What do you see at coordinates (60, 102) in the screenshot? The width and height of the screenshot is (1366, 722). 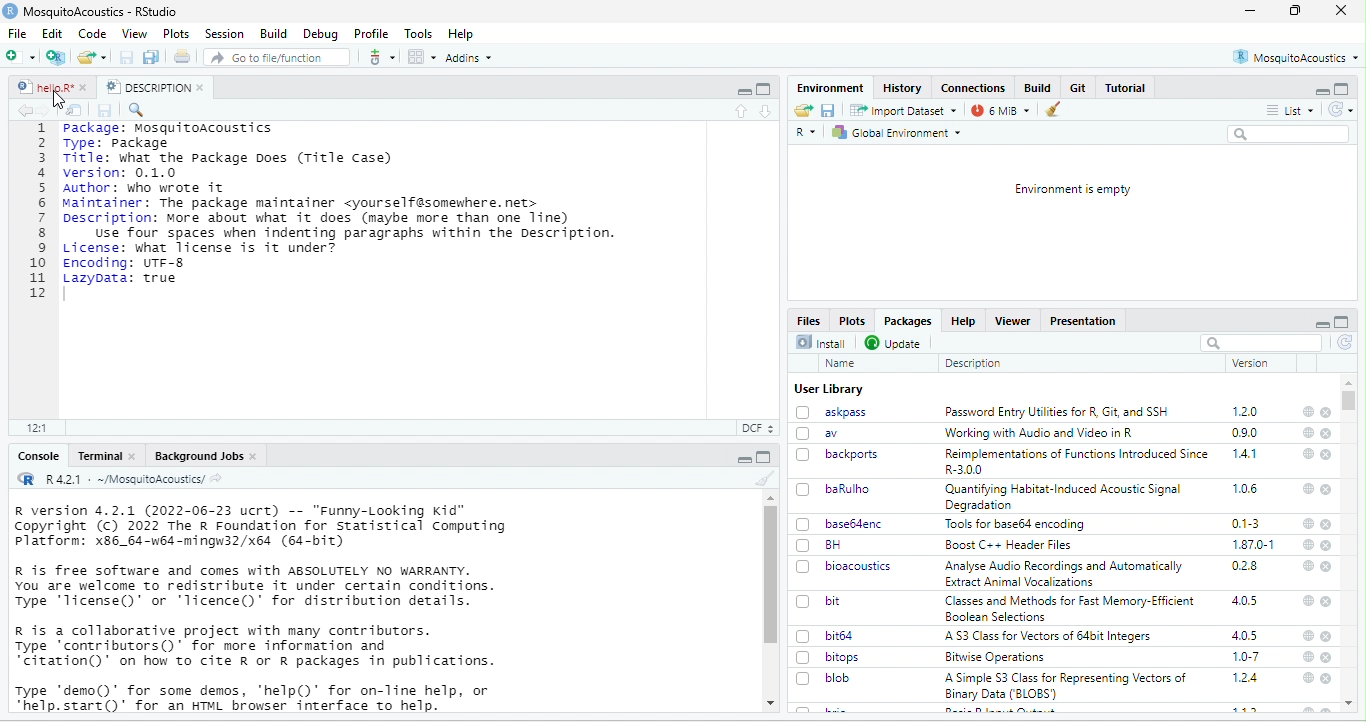 I see `cursor` at bounding box center [60, 102].